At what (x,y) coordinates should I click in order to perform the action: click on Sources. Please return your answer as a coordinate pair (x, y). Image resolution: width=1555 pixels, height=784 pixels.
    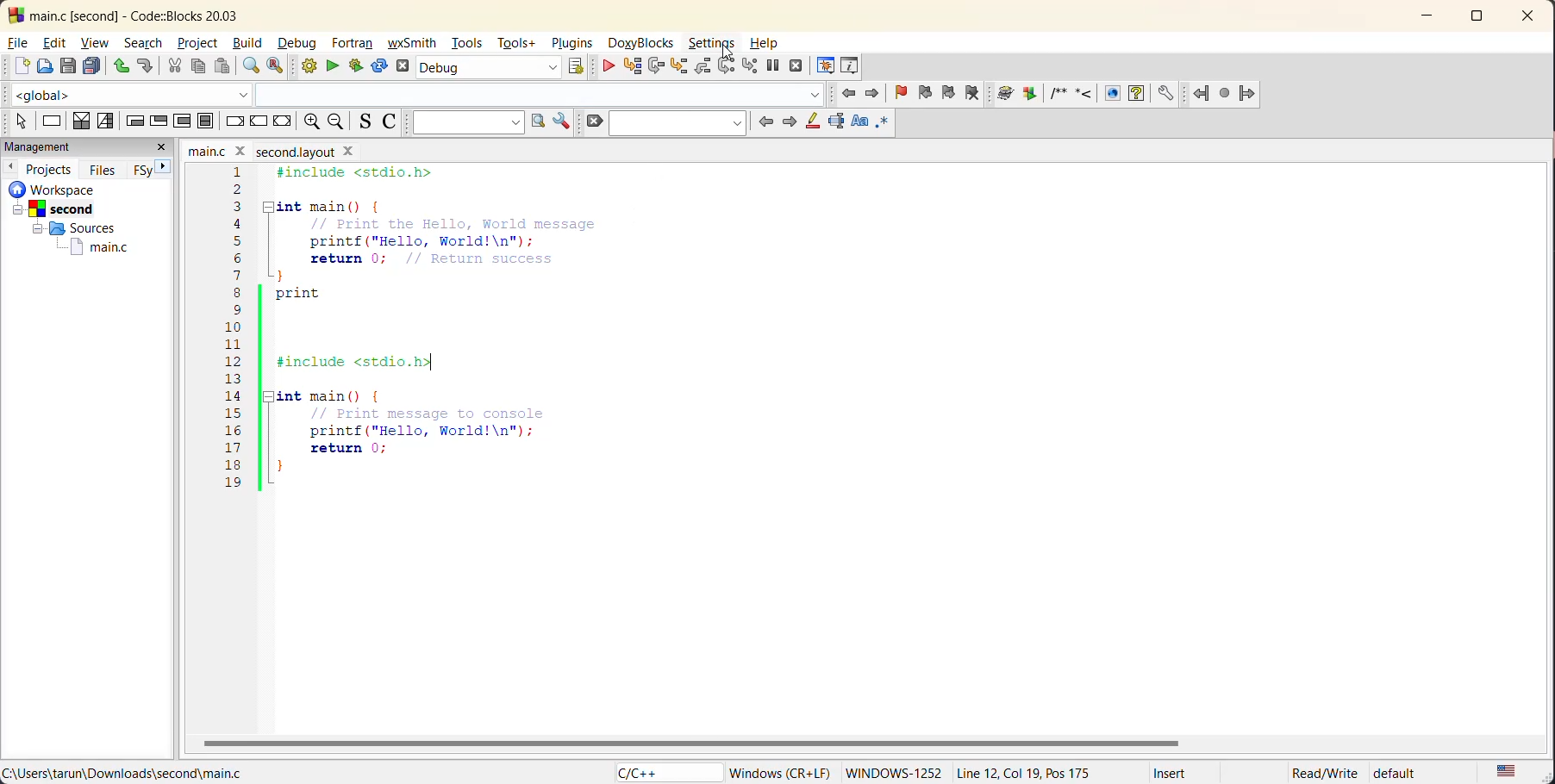
    Looking at the image, I should click on (75, 228).